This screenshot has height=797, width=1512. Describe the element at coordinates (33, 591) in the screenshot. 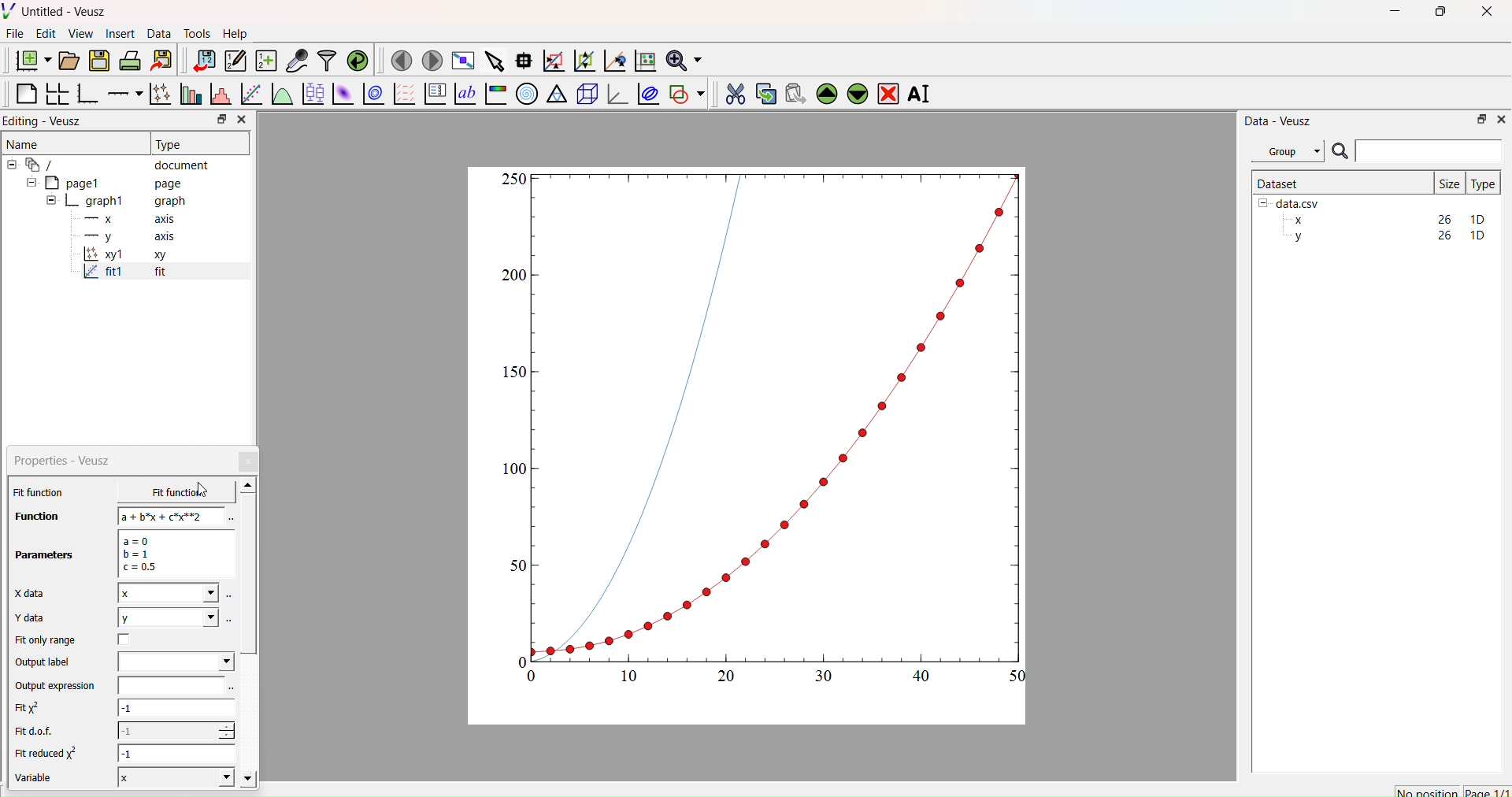

I see `X data` at that location.